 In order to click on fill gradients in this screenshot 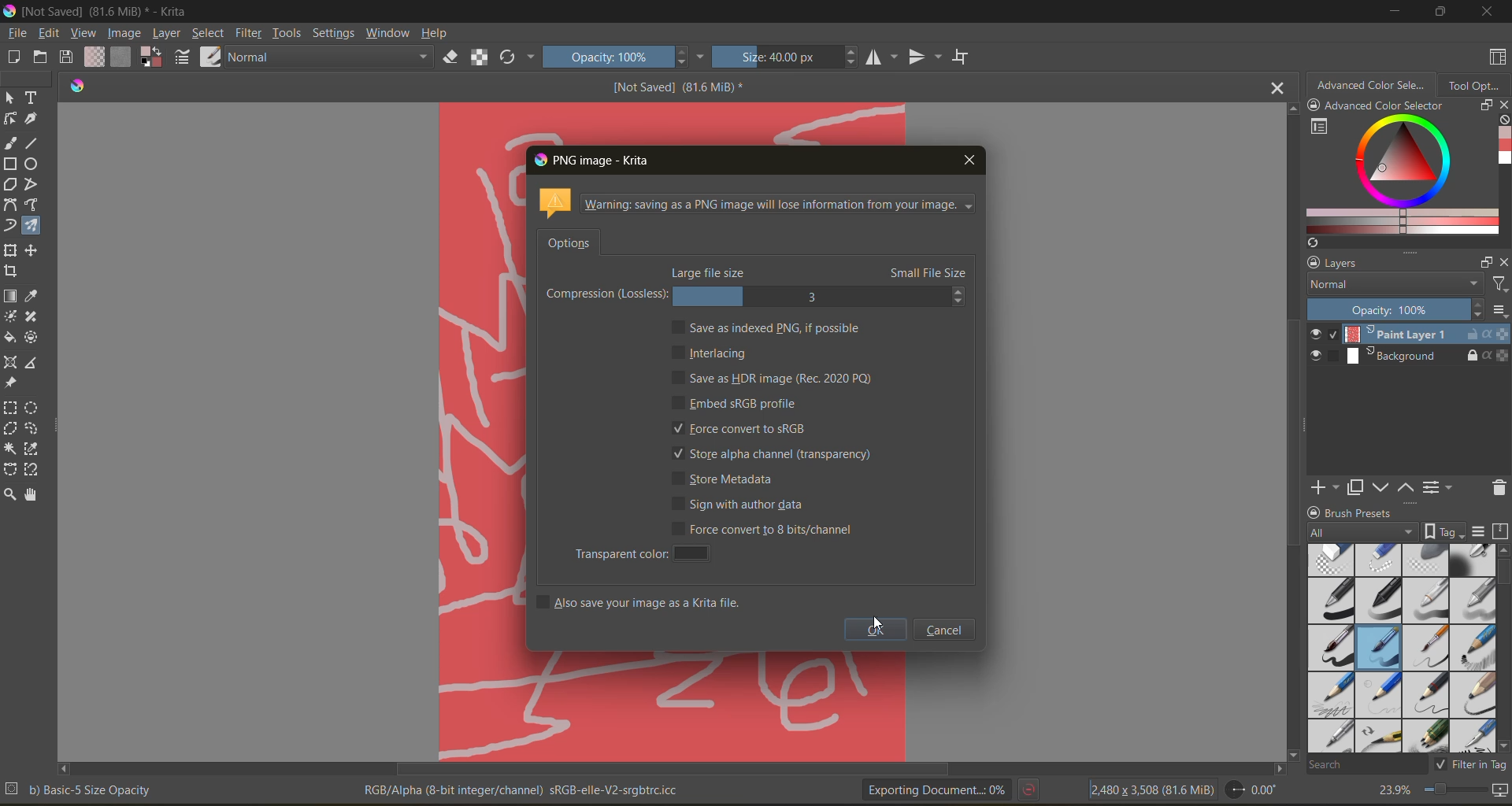, I will do `click(93, 57)`.